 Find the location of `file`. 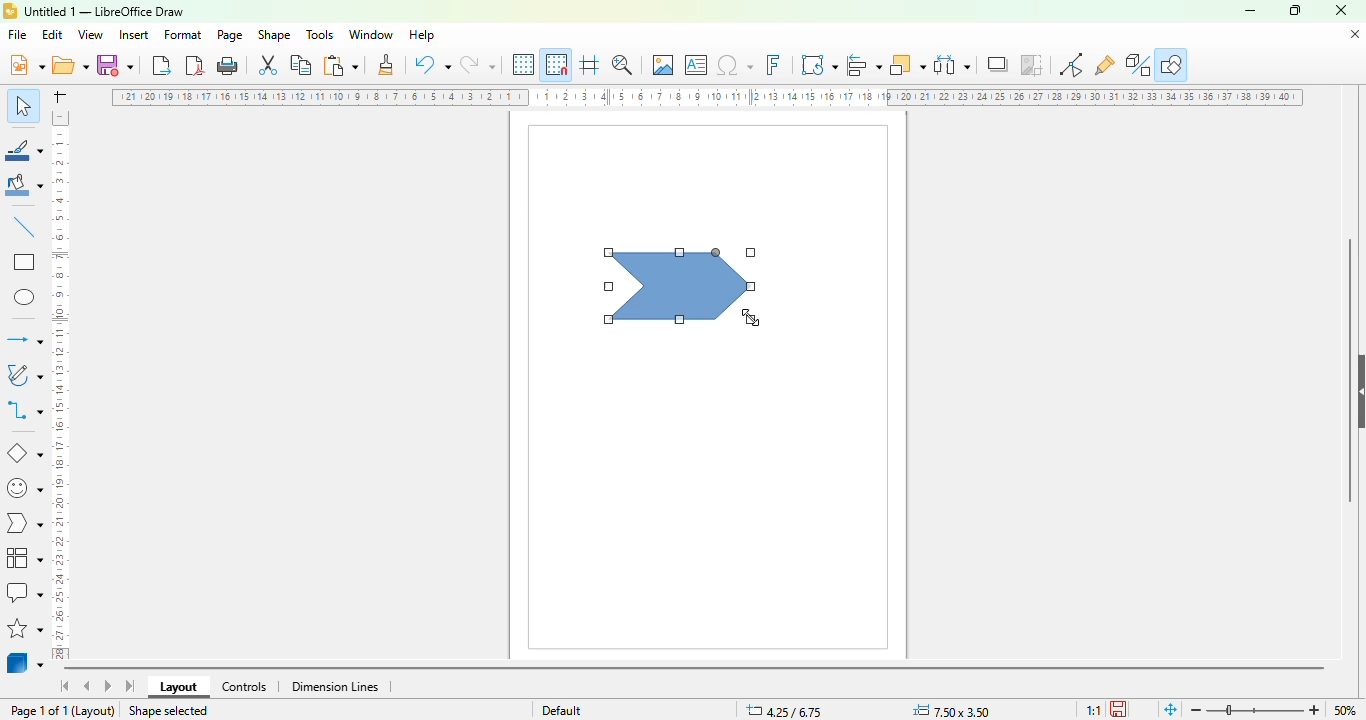

file is located at coordinates (17, 34).